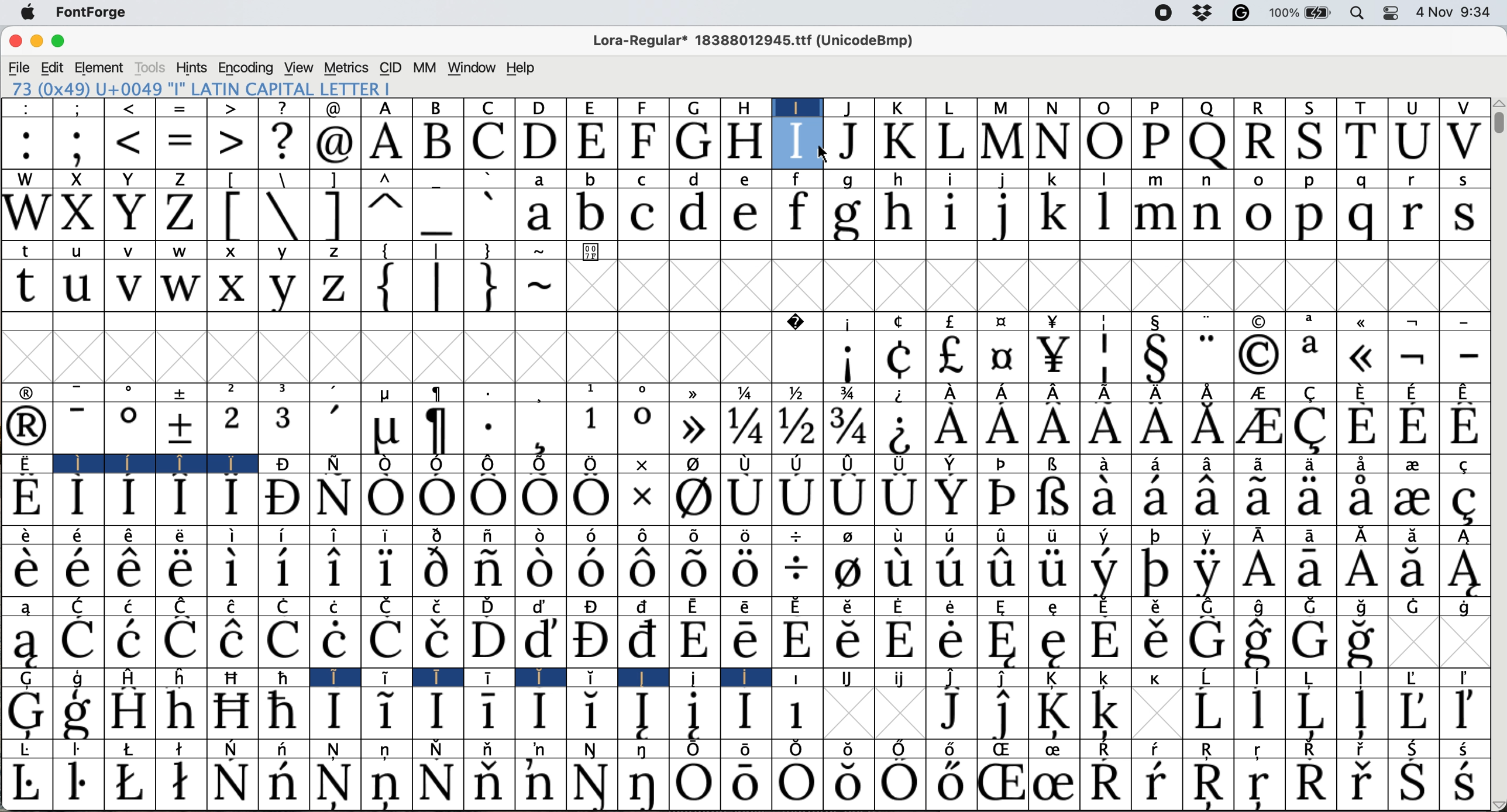 Image resolution: width=1507 pixels, height=812 pixels. What do you see at coordinates (746, 607) in the screenshot?
I see `Symbol` at bounding box center [746, 607].